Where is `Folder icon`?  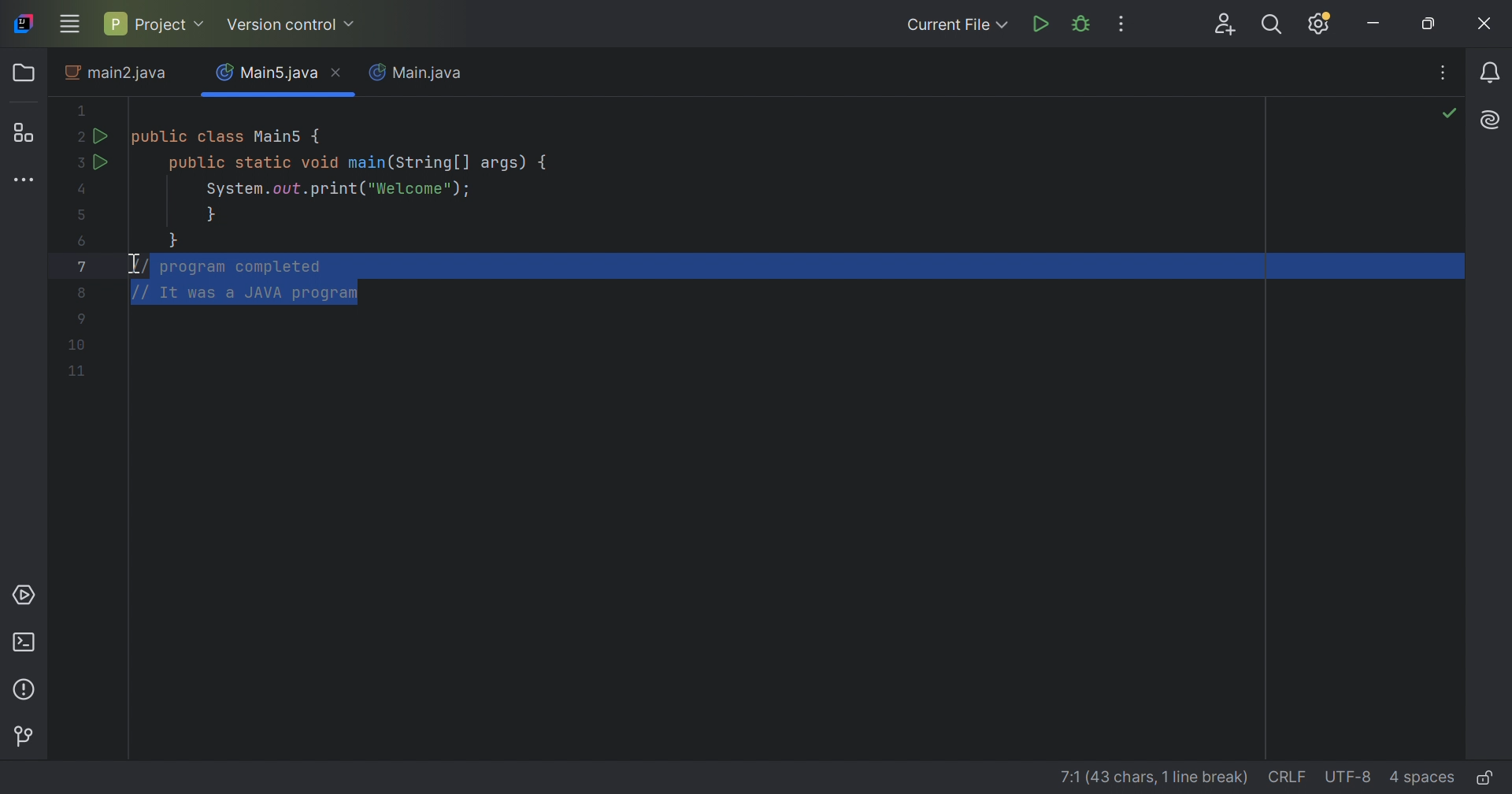
Folder icon is located at coordinates (24, 74).